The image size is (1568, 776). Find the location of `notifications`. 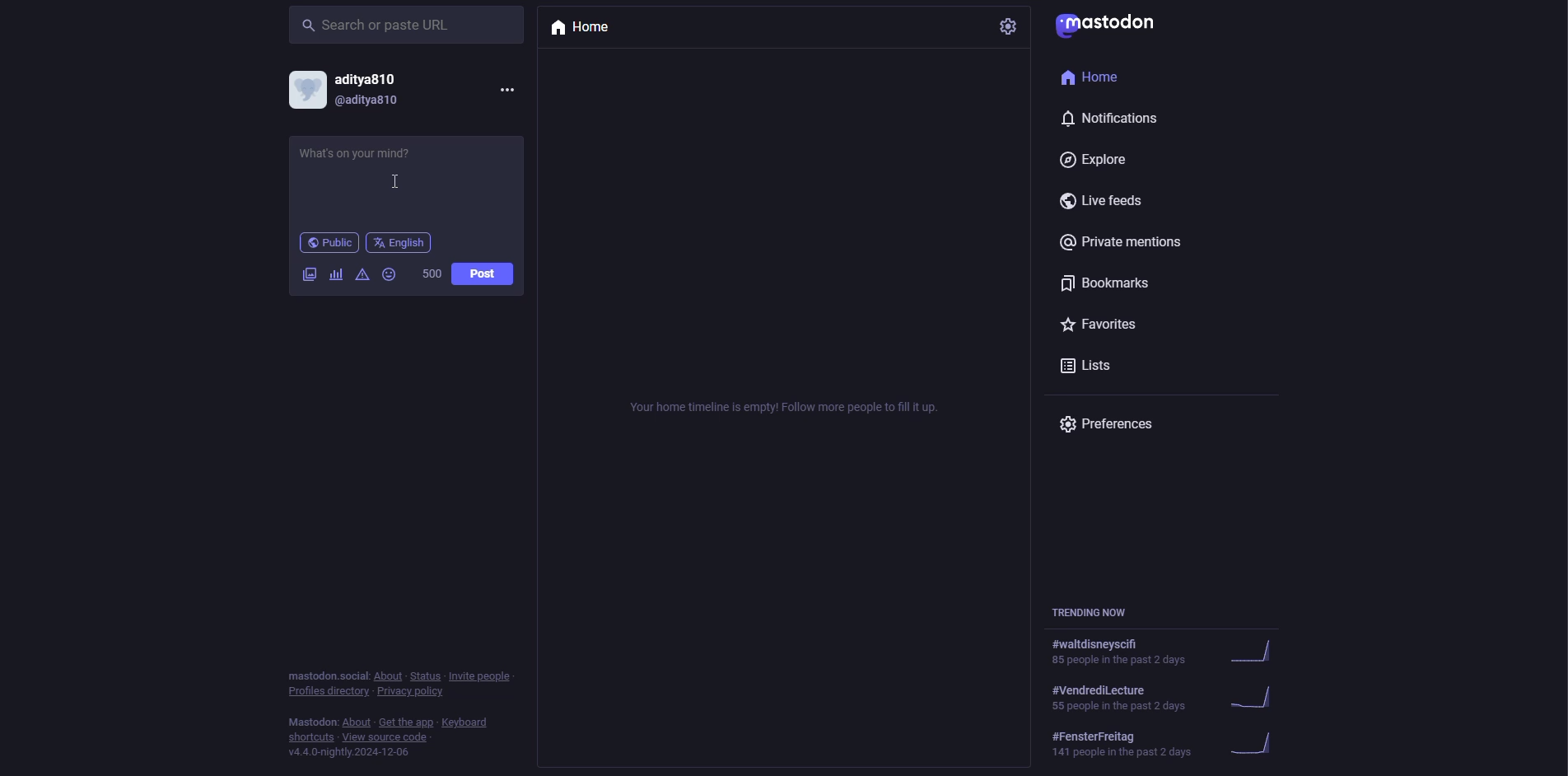

notifications is located at coordinates (1119, 119).